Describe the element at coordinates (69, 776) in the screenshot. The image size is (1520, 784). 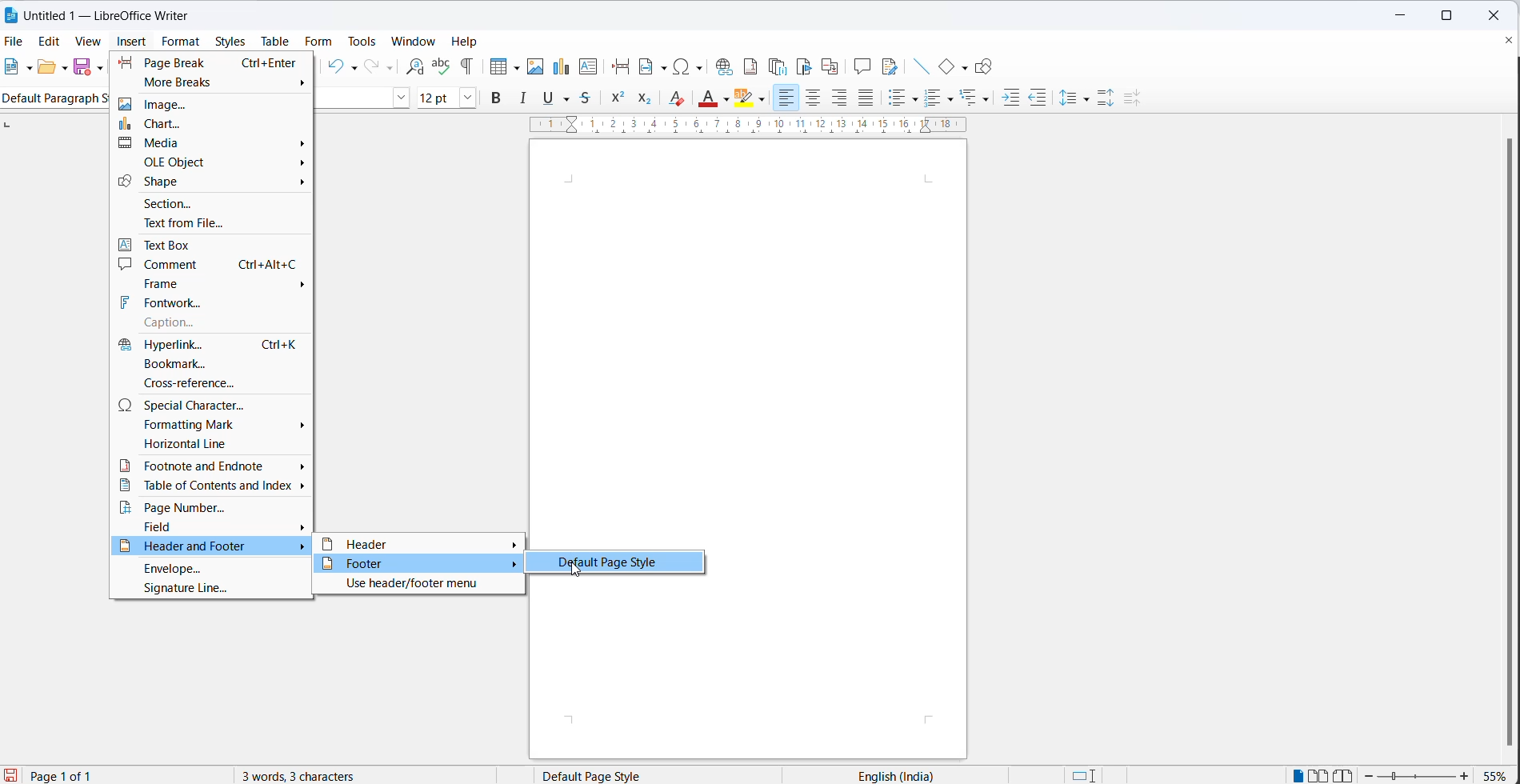
I see `current page` at that location.